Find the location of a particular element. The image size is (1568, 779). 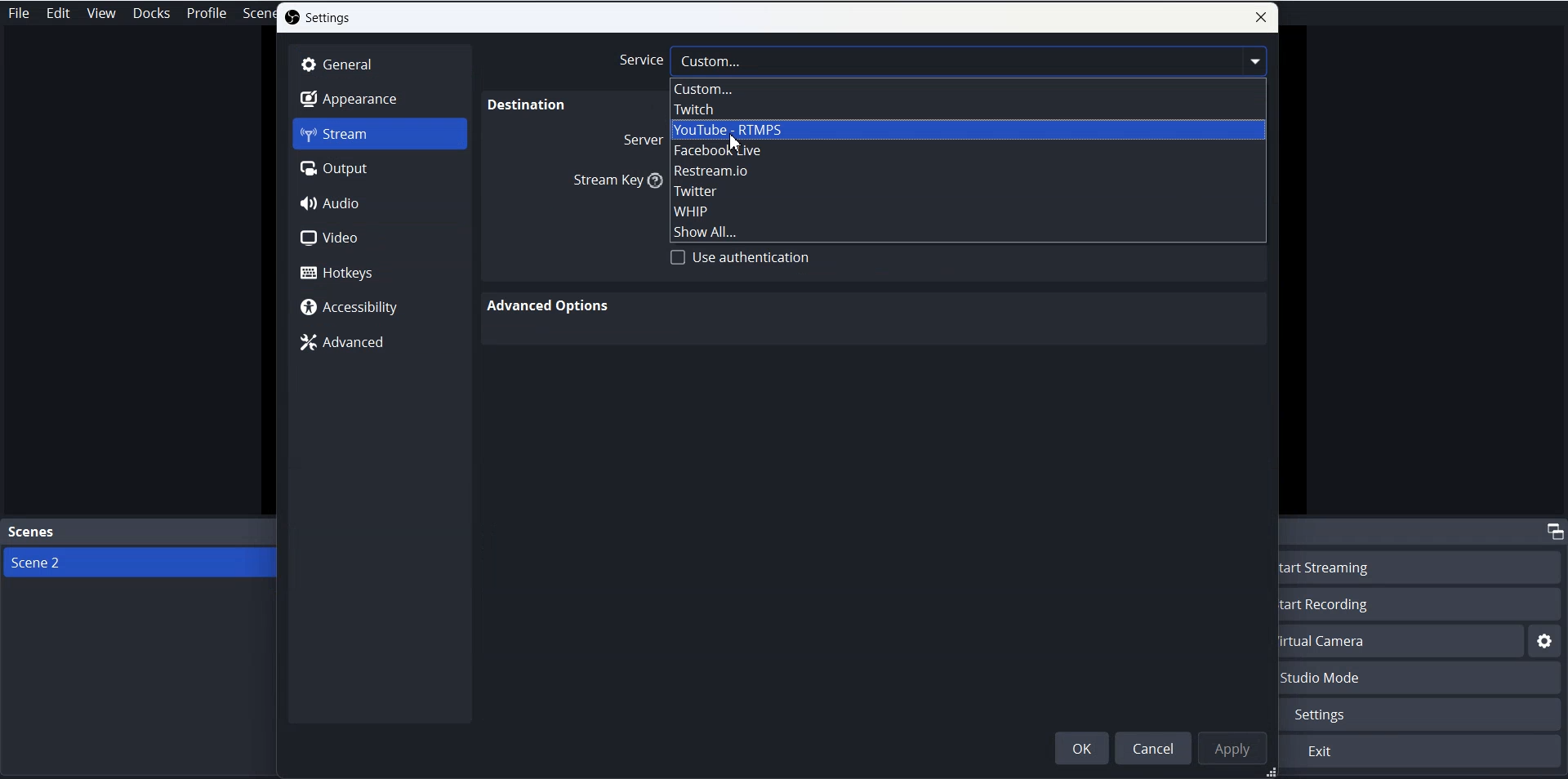

View is located at coordinates (101, 13).